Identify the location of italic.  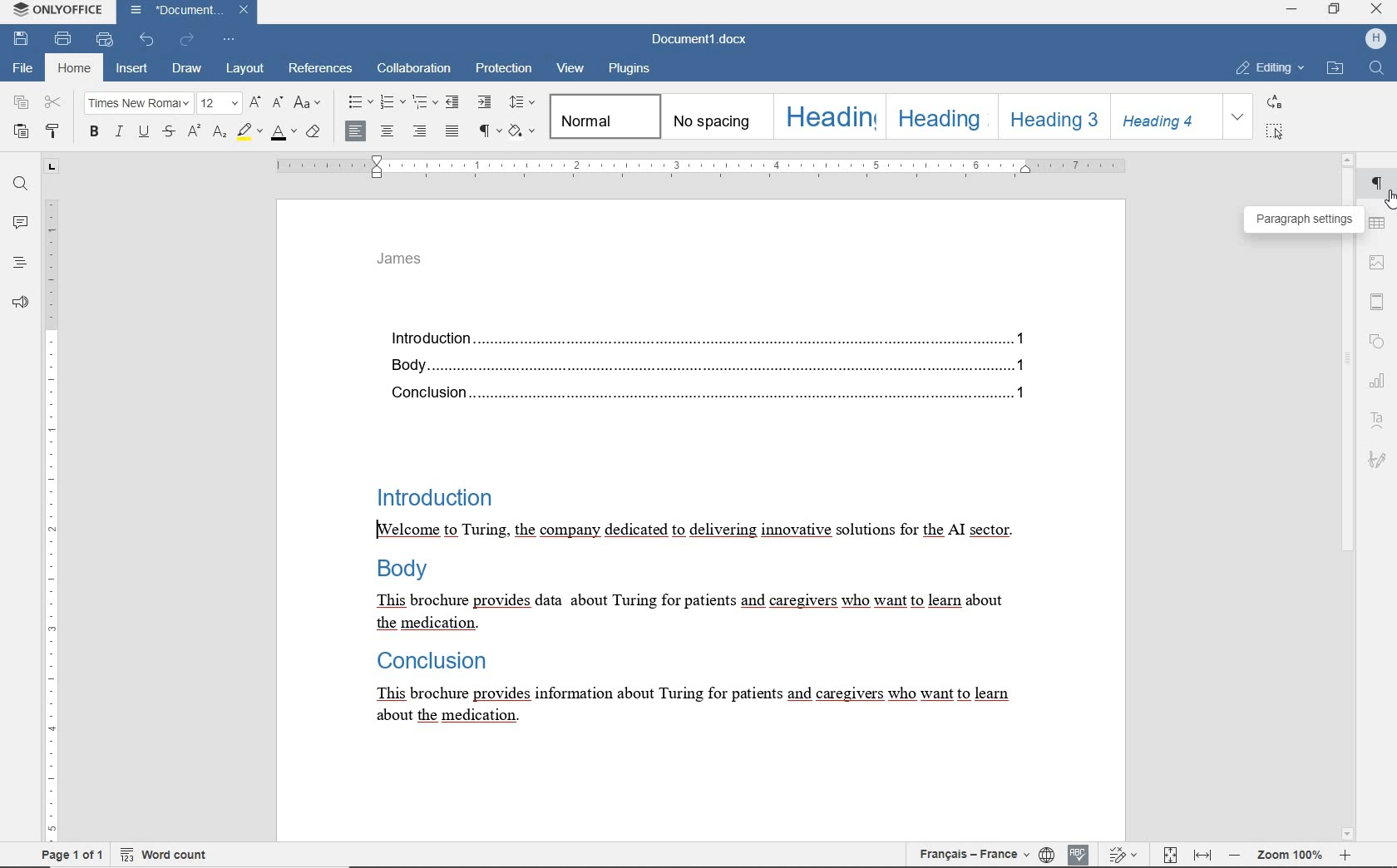
(119, 133).